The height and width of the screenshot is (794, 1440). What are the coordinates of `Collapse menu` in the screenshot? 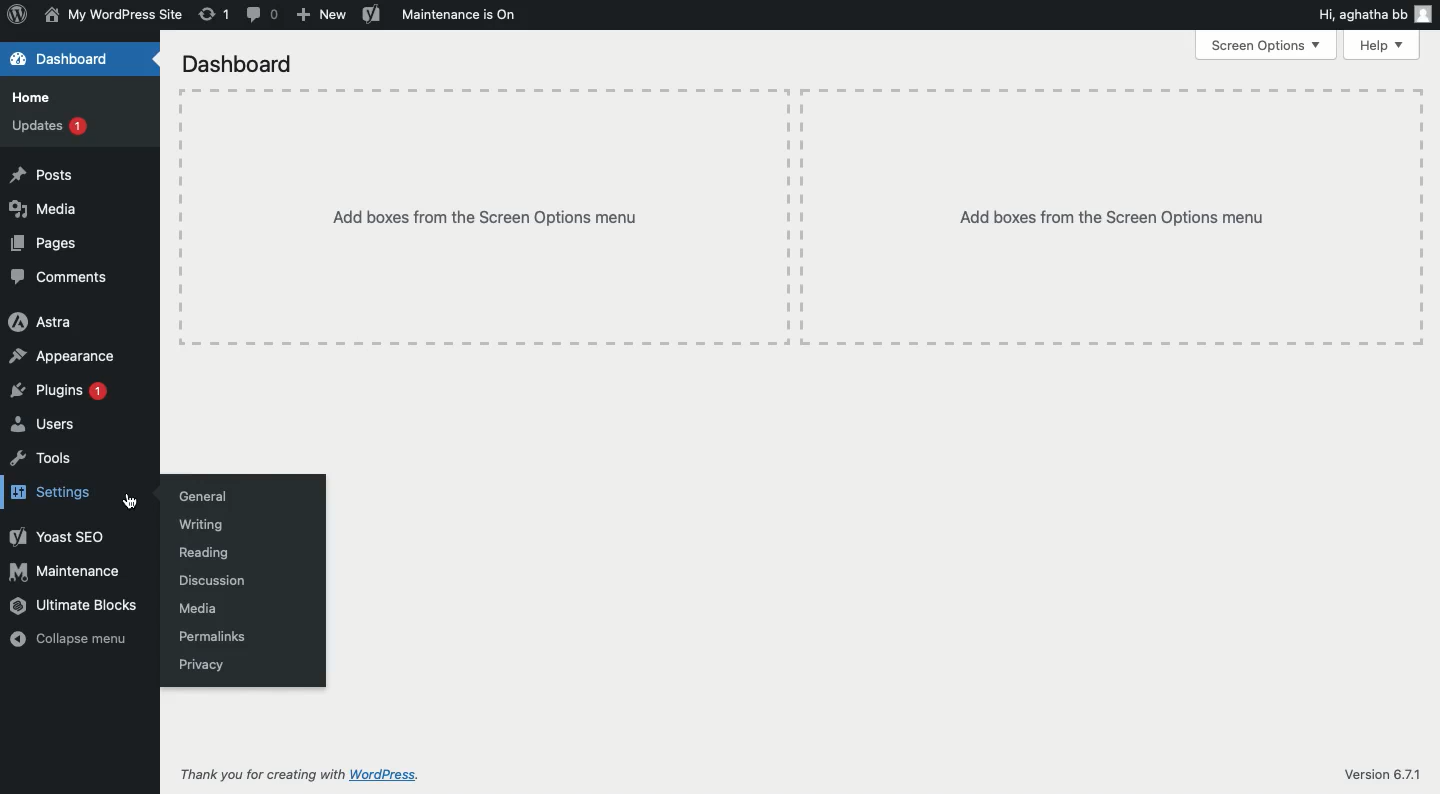 It's located at (71, 639).